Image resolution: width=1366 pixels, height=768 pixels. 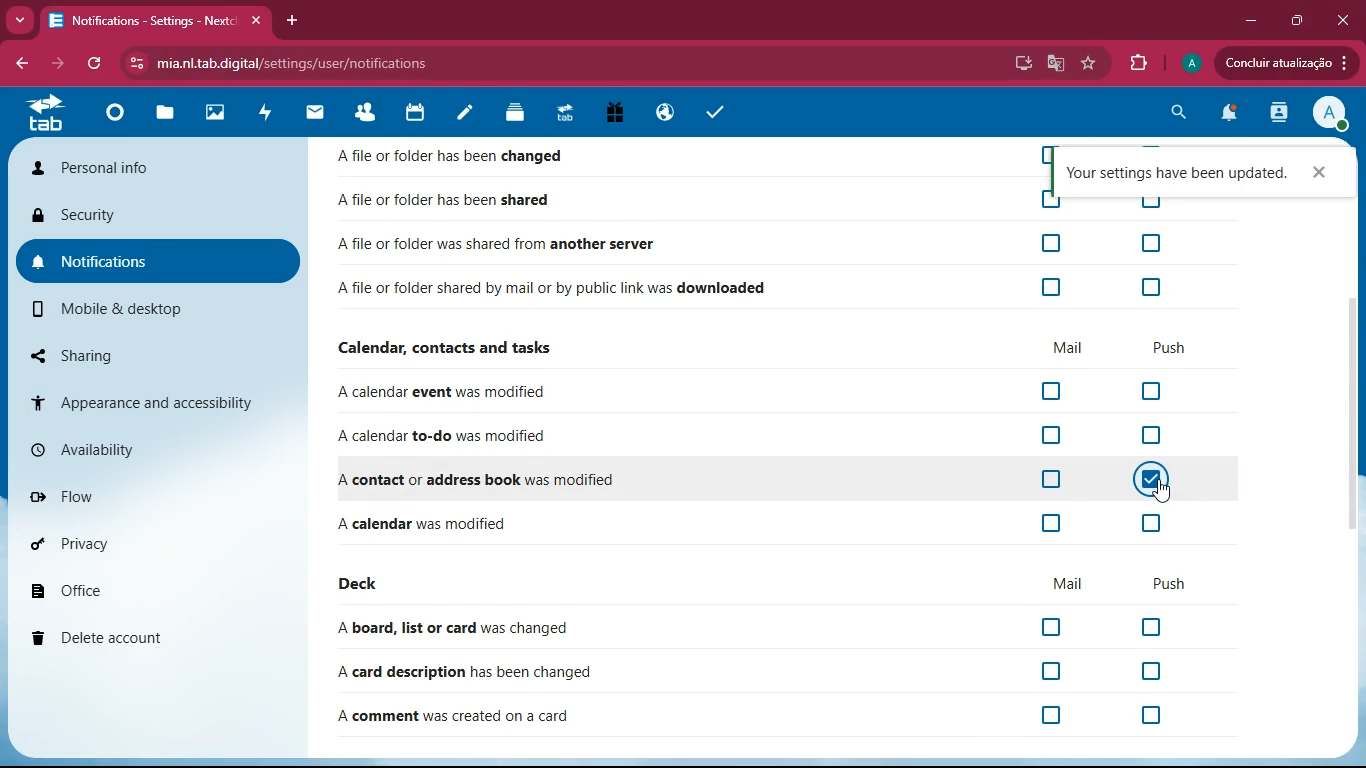 What do you see at coordinates (447, 437) in the screenshot?
I see `A calendar to-do was modified` at bounding box center [447, 437].